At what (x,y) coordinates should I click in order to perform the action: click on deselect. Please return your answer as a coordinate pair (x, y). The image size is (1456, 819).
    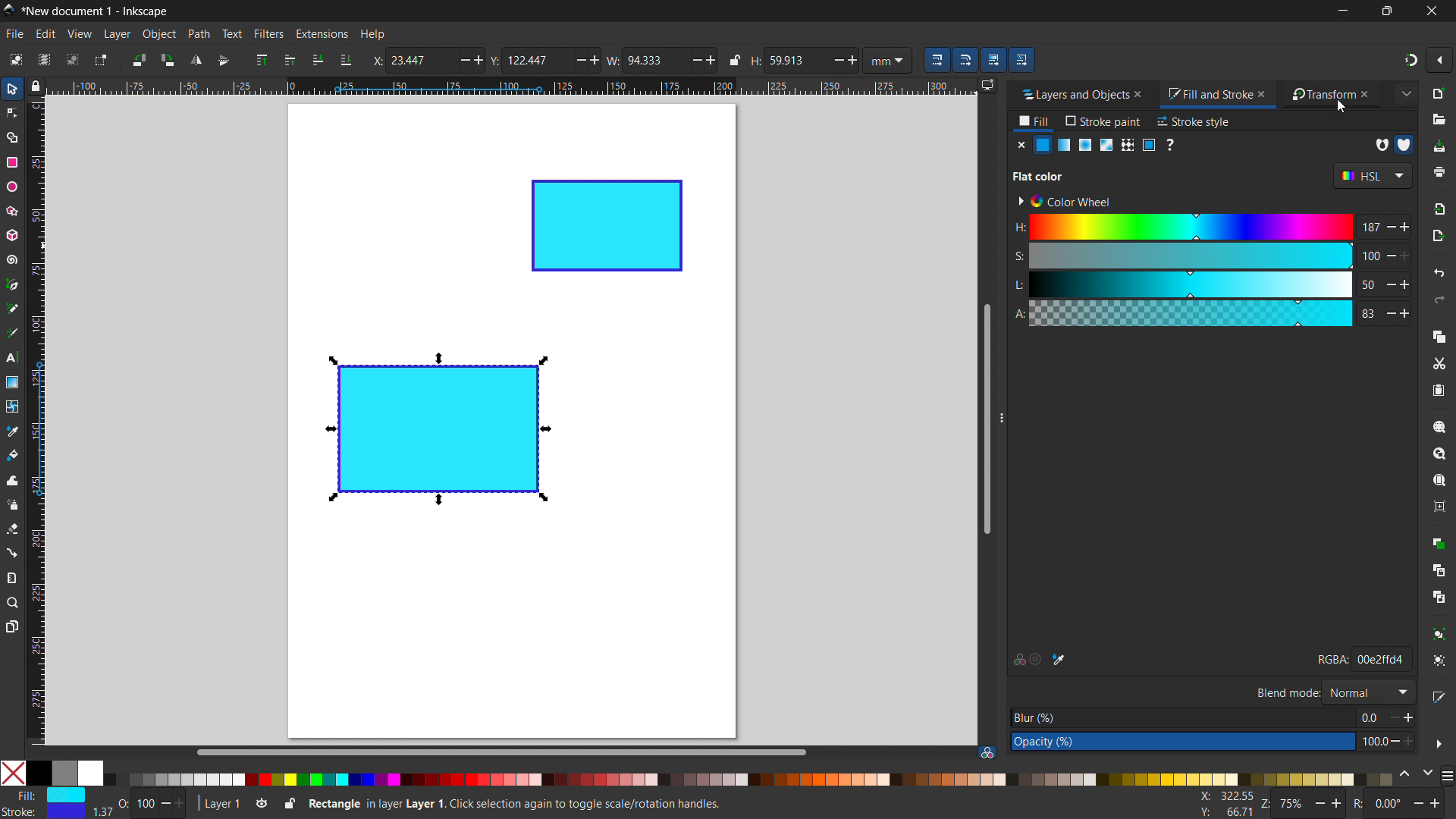
    Looking at the image, I should click on (73, 59).